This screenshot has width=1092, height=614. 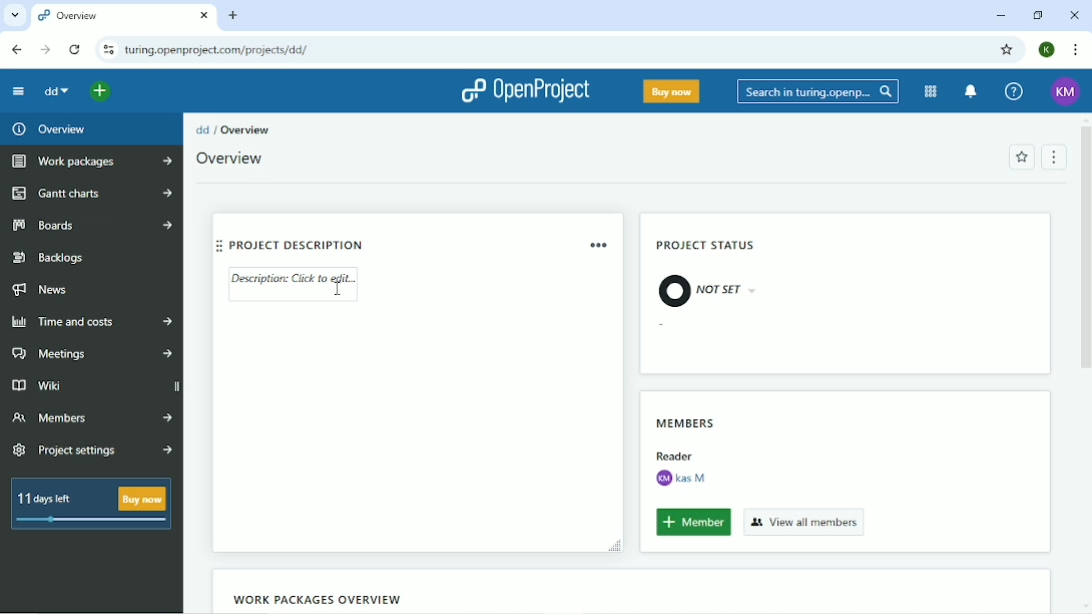 I want to click on Site, so click(x=219, y=50).